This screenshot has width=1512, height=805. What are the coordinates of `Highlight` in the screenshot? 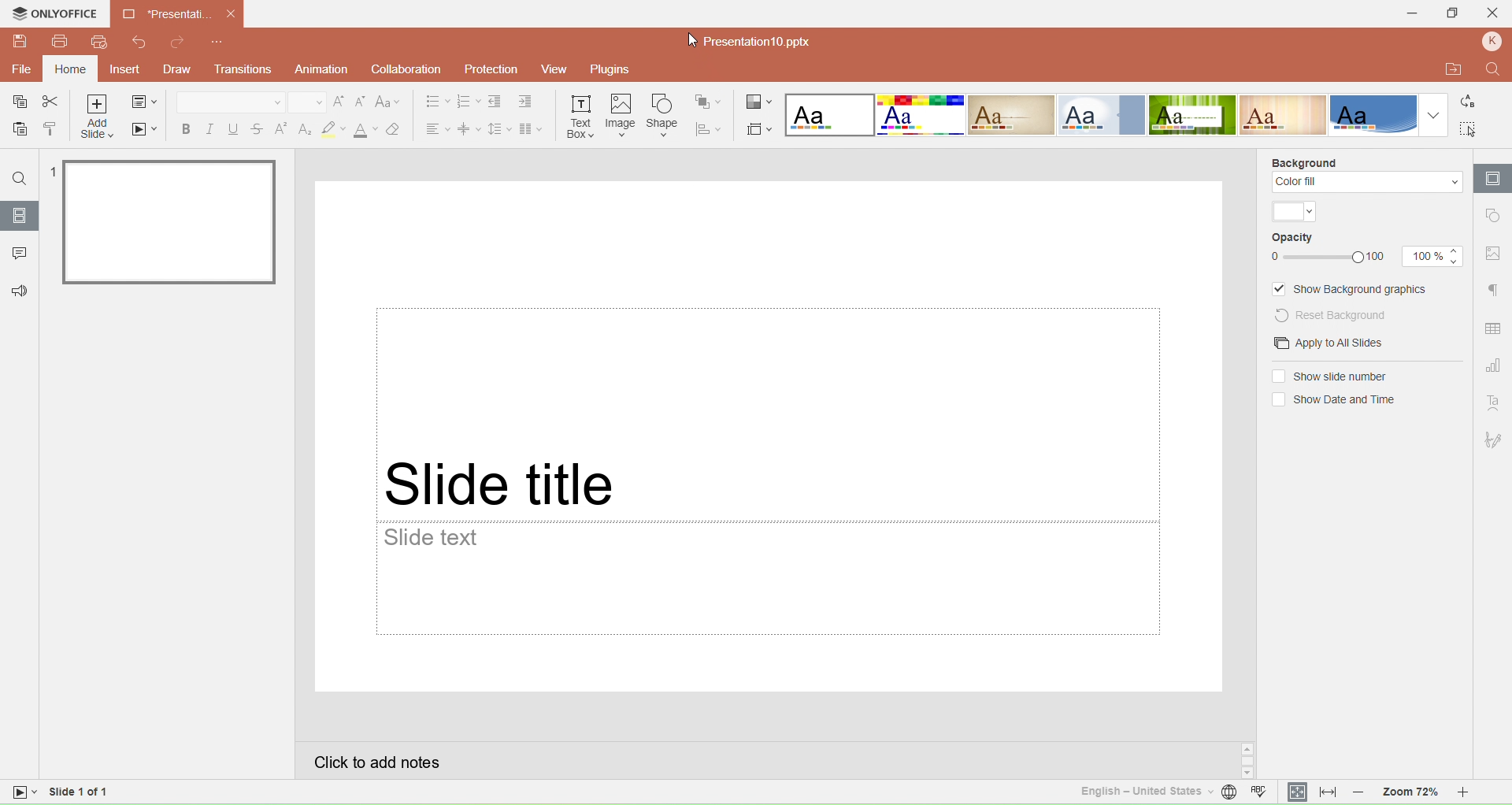 It's located at (332, 129).